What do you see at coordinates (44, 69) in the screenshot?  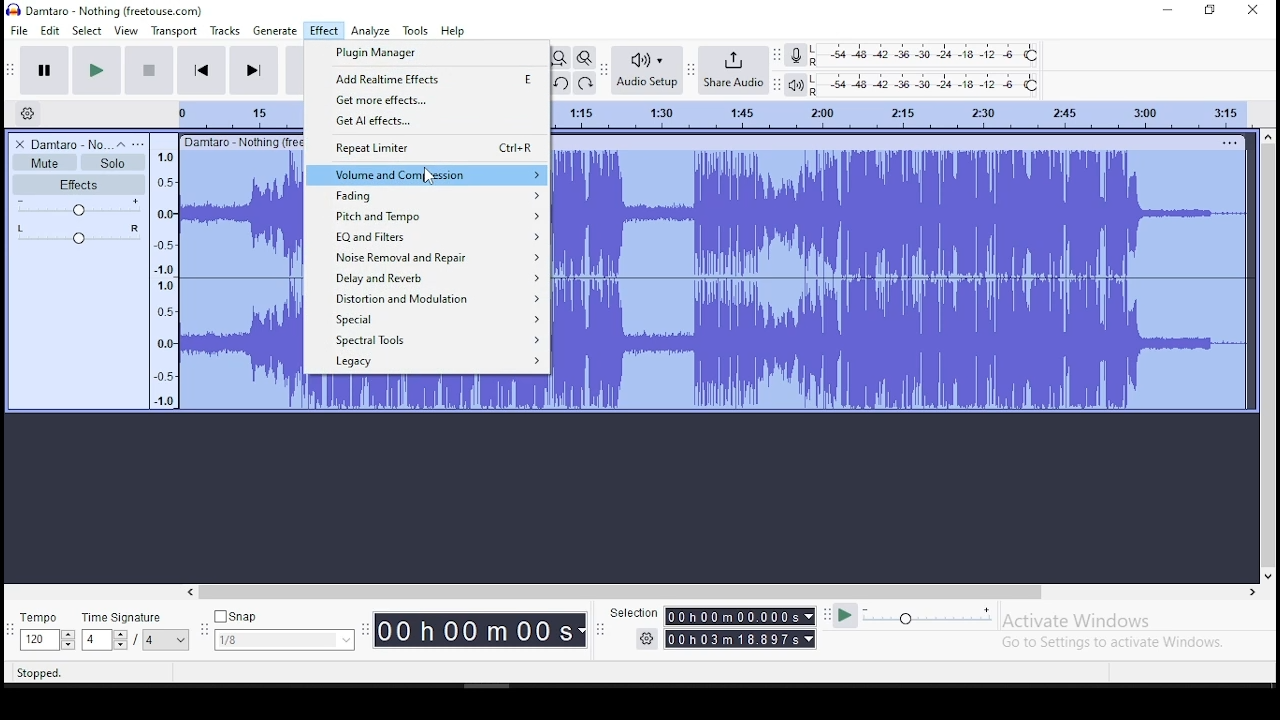 I see `pause` at bounding box center [44, 69].